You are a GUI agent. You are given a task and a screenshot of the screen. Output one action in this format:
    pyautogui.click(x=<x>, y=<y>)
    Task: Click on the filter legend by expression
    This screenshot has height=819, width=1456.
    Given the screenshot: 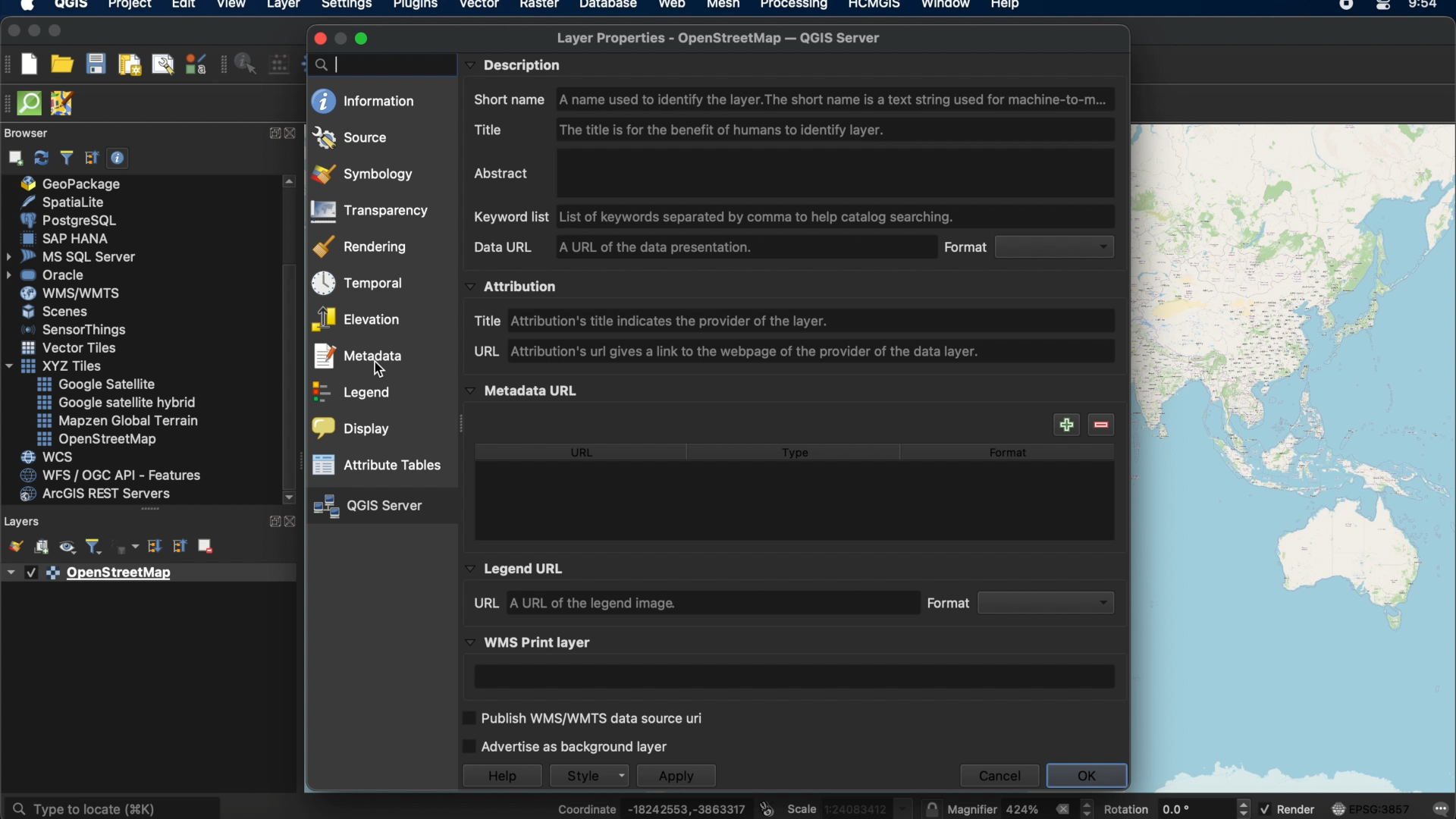 What is the action you would take?
    pyautogui.click(x=127, y=548)
    